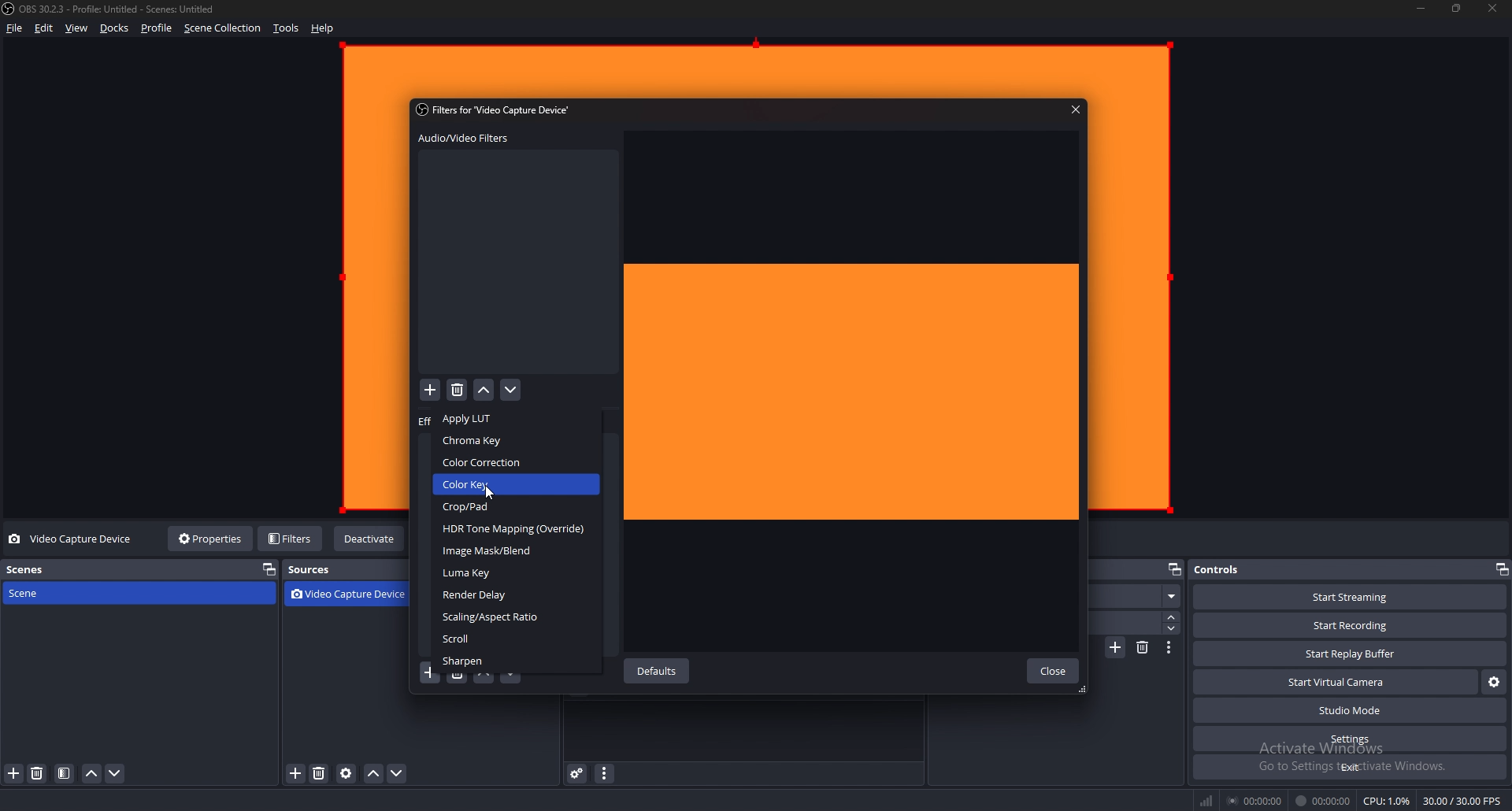 This screenshot has height=811, width=1512. What do you see at coordinates (122, 10) in the screenshot?
I see `OBS 30.2.3 - Profile: Untitled - Scenes: Untitled` at bounding box center [122, 10].